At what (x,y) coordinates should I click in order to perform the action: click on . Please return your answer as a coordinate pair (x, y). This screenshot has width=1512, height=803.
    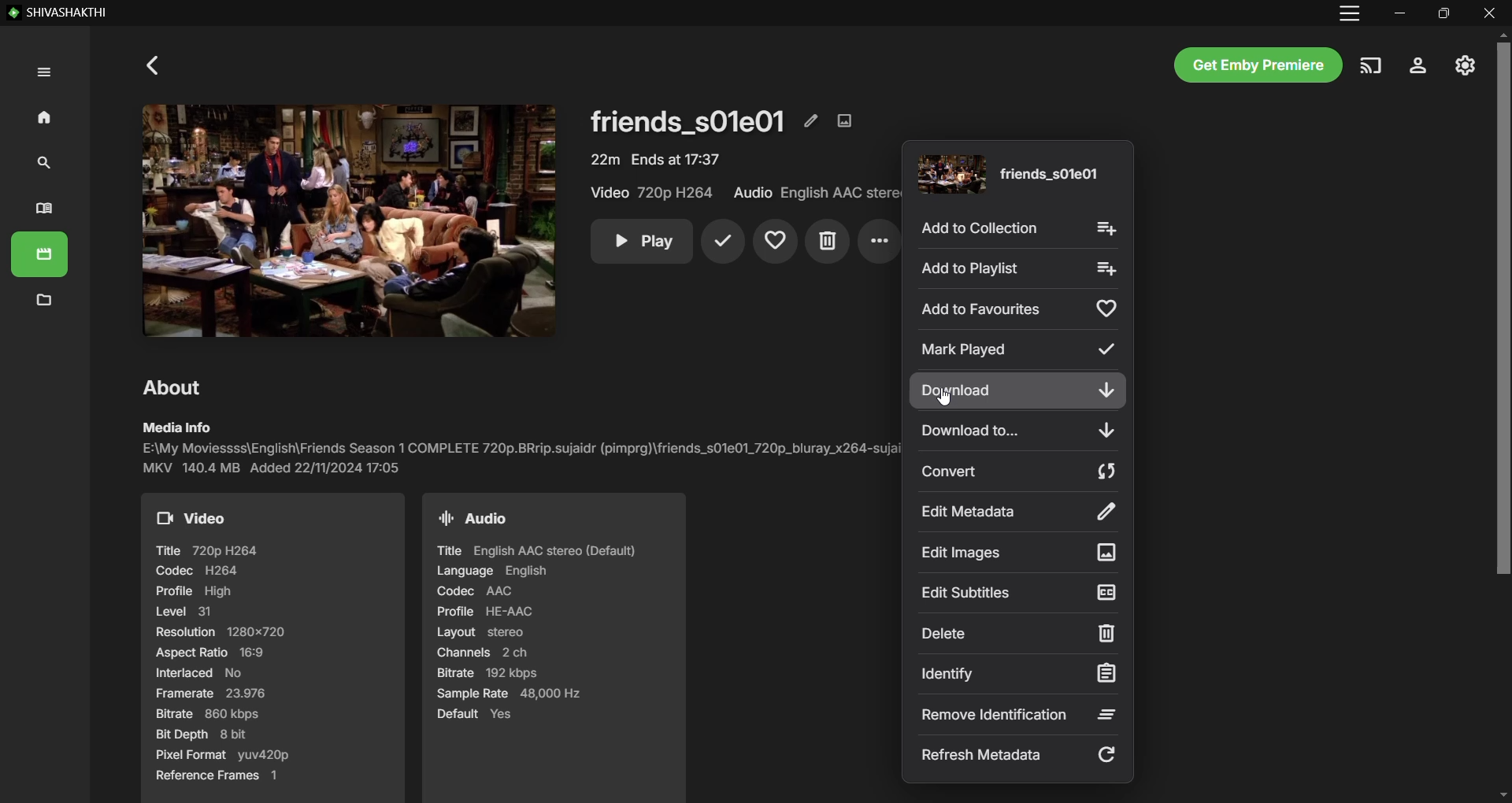
    Looking at the image, I should click on (43, 161).